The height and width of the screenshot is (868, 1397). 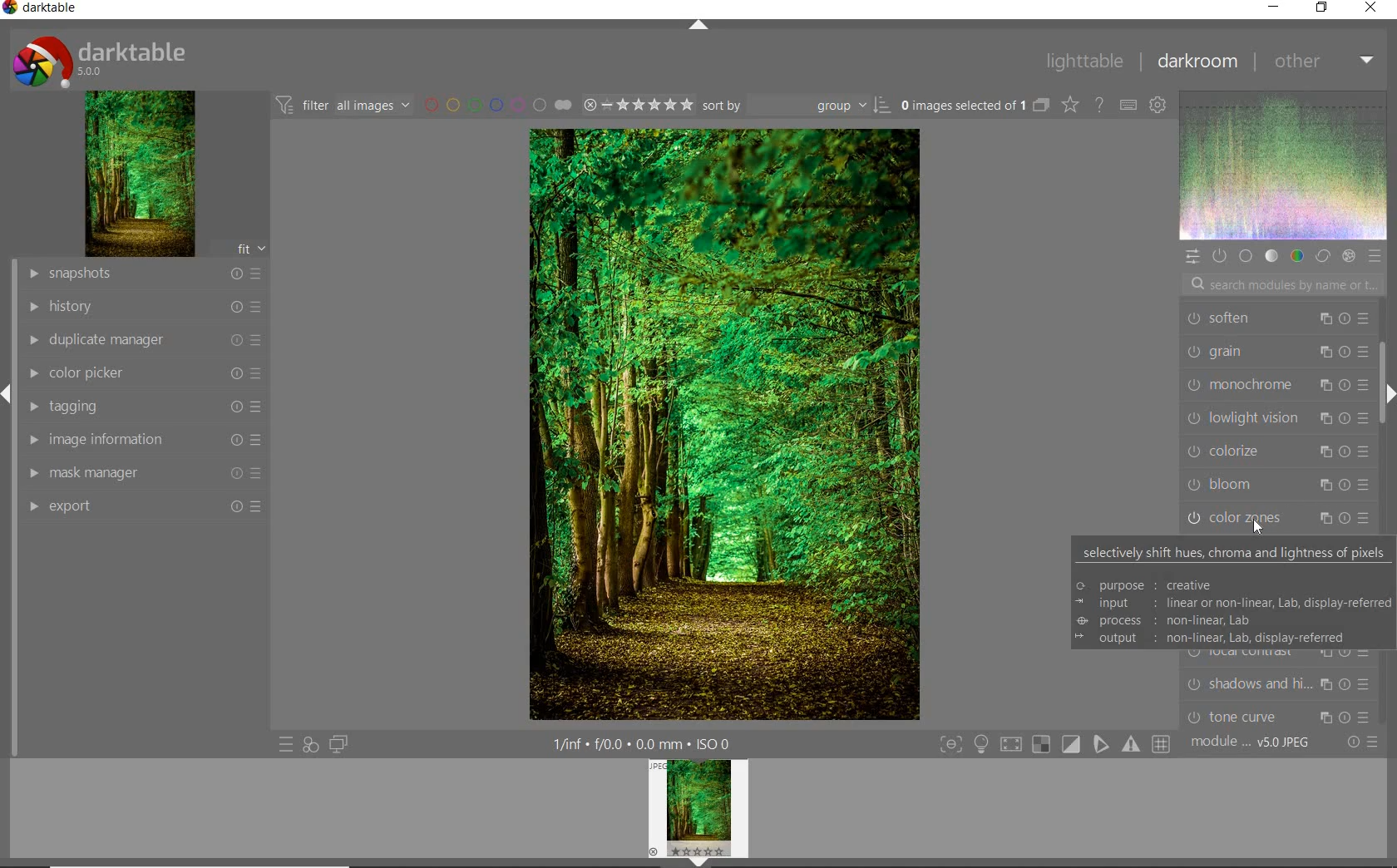 What do you see at coordinates (1363, 742) in the screenshot?
I see `RESET OR PRESET & PREFERENCE` at bounding box center [1363, 742].